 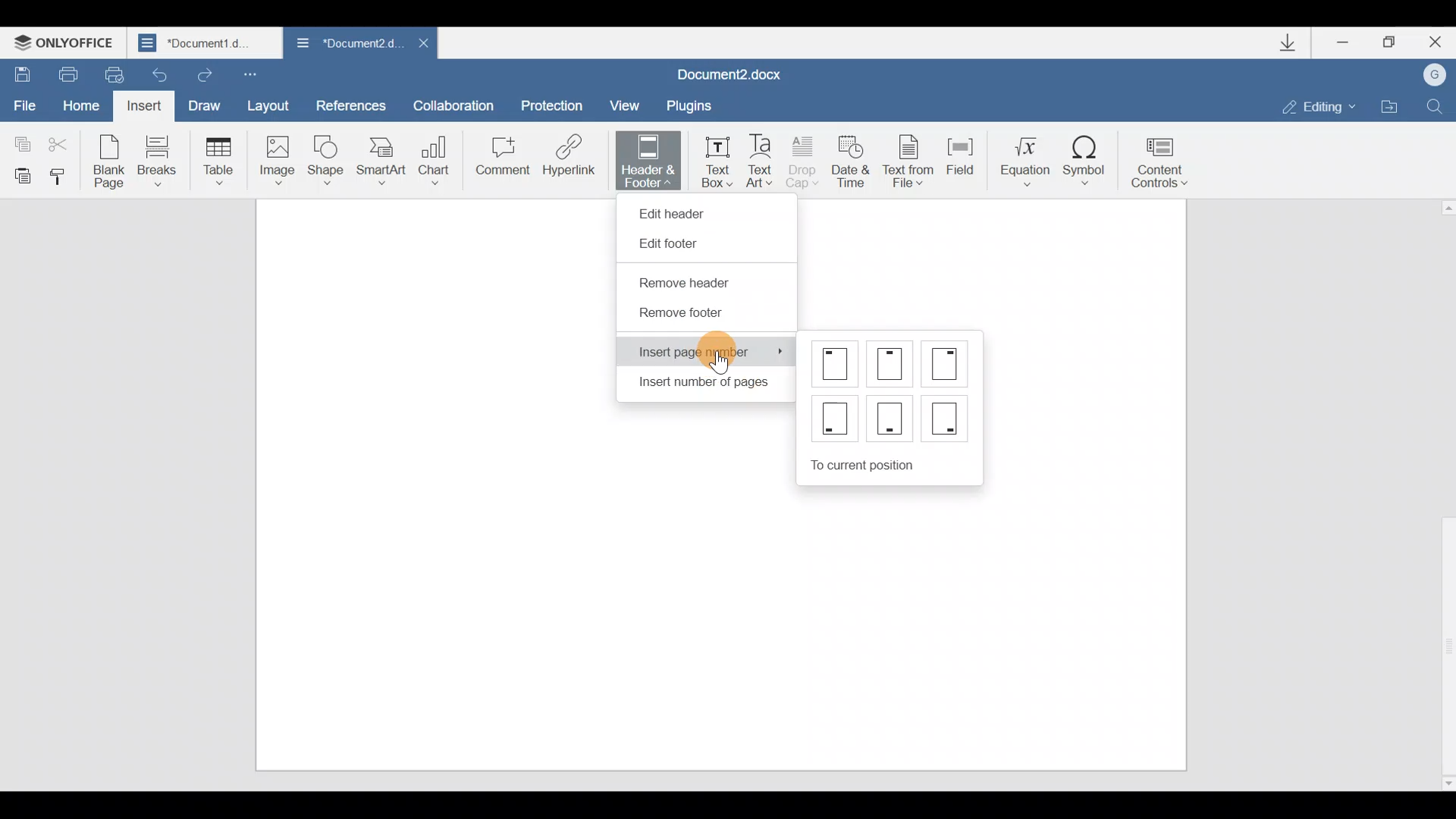 What do you see at coordinates (500, 159) in the screenshot?
I see `Comment` at bounding box center [500, 159].